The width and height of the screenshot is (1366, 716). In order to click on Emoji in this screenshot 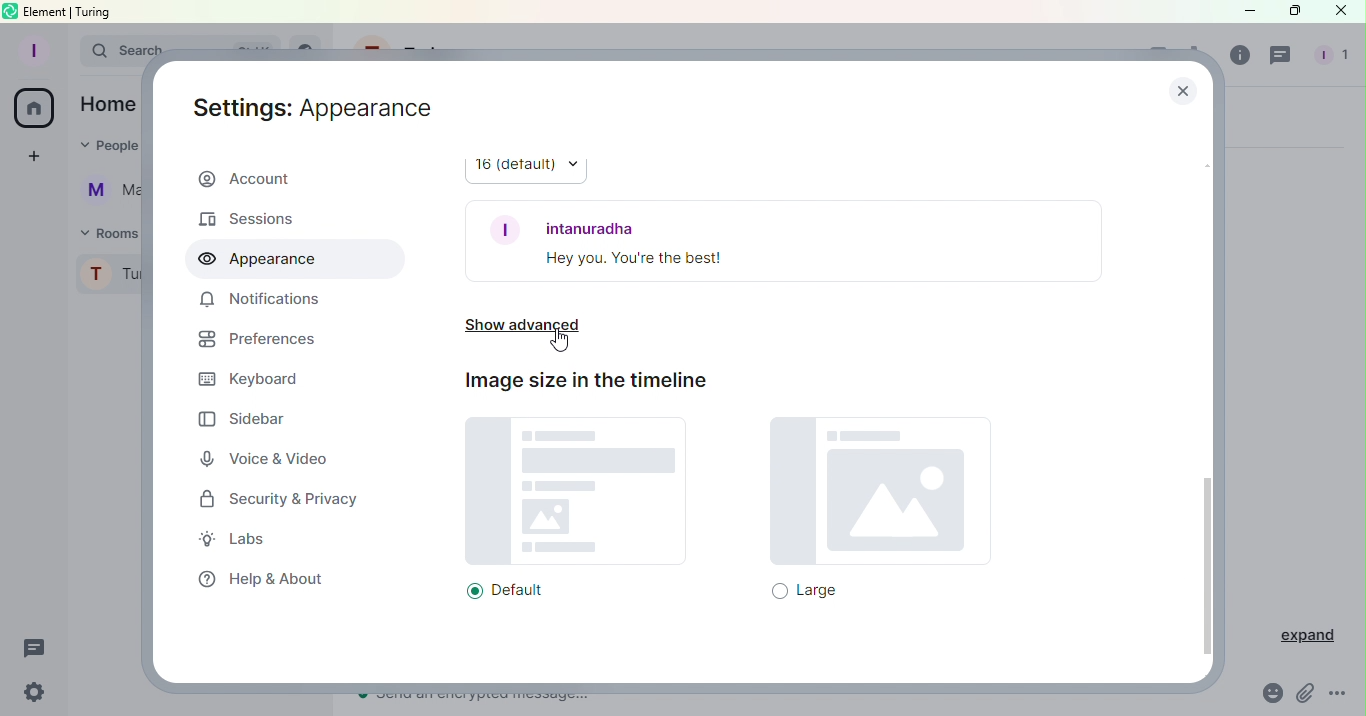, I will do `click(1269, 695)`.